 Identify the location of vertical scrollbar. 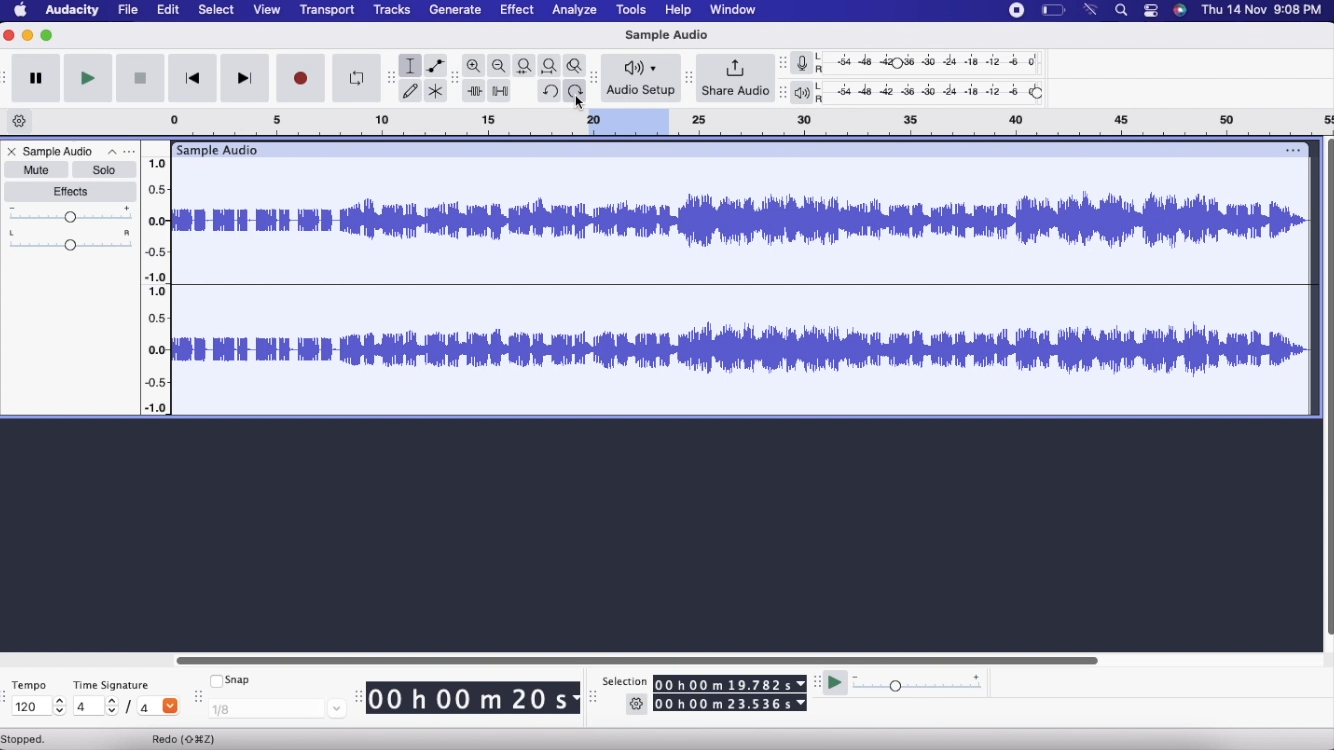
(1326, 389).